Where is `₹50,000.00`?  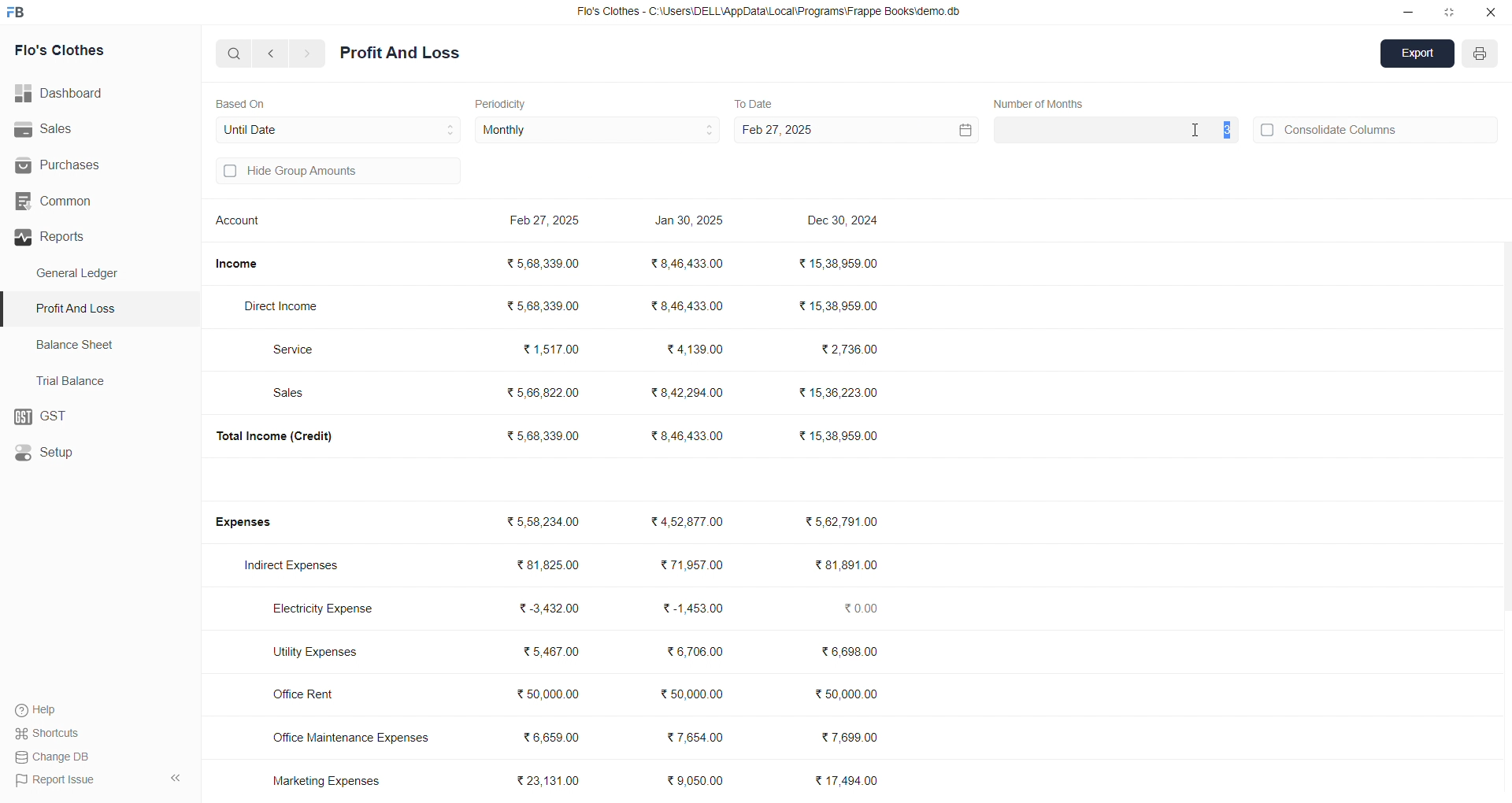 ₹50,000.00 is located at coordinates (849, 696).